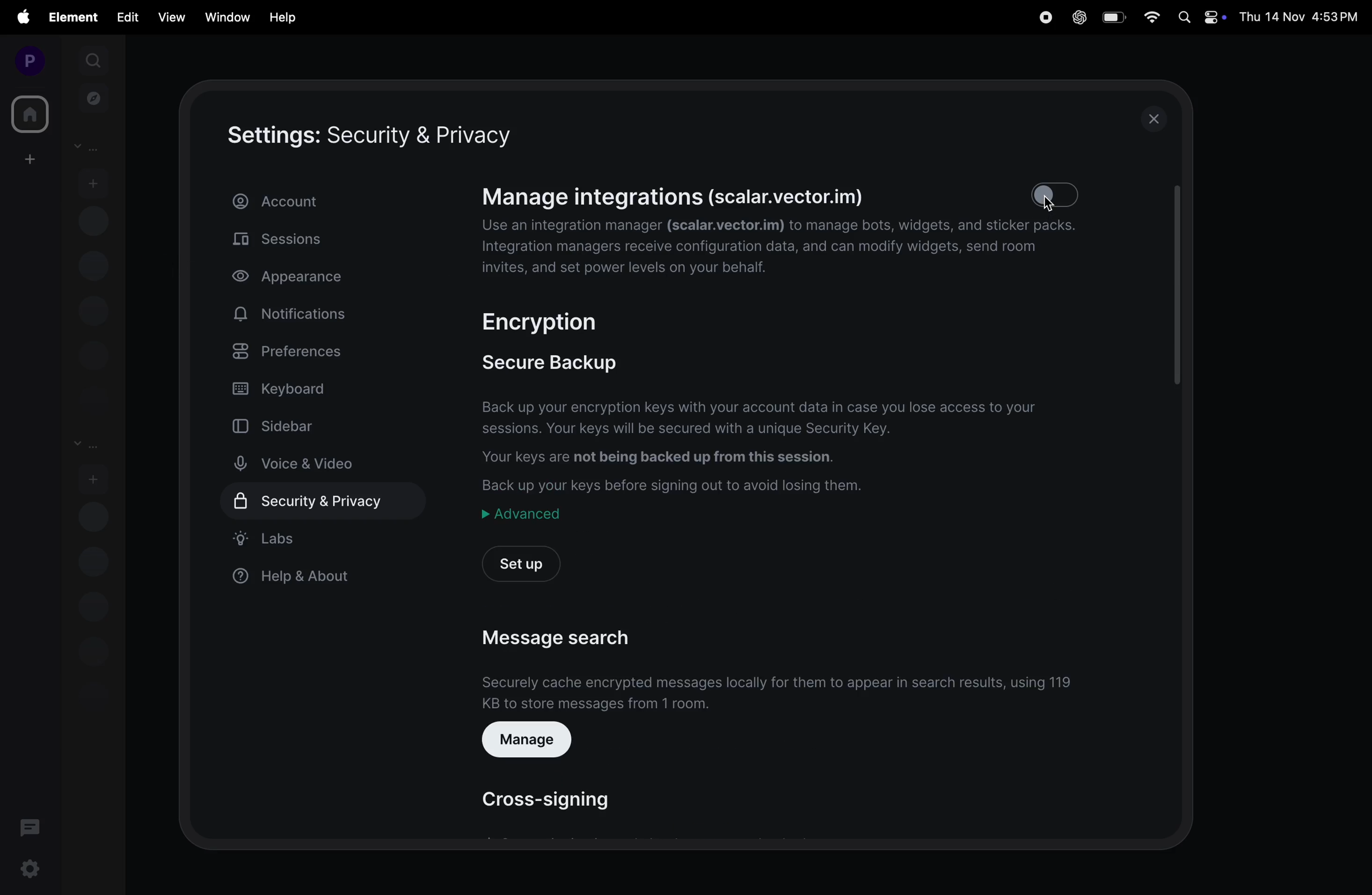 The image size is (1372, 895). Describe the element at coordinates (1057, 194) in the screenshot. I see `toogle off` at that location.